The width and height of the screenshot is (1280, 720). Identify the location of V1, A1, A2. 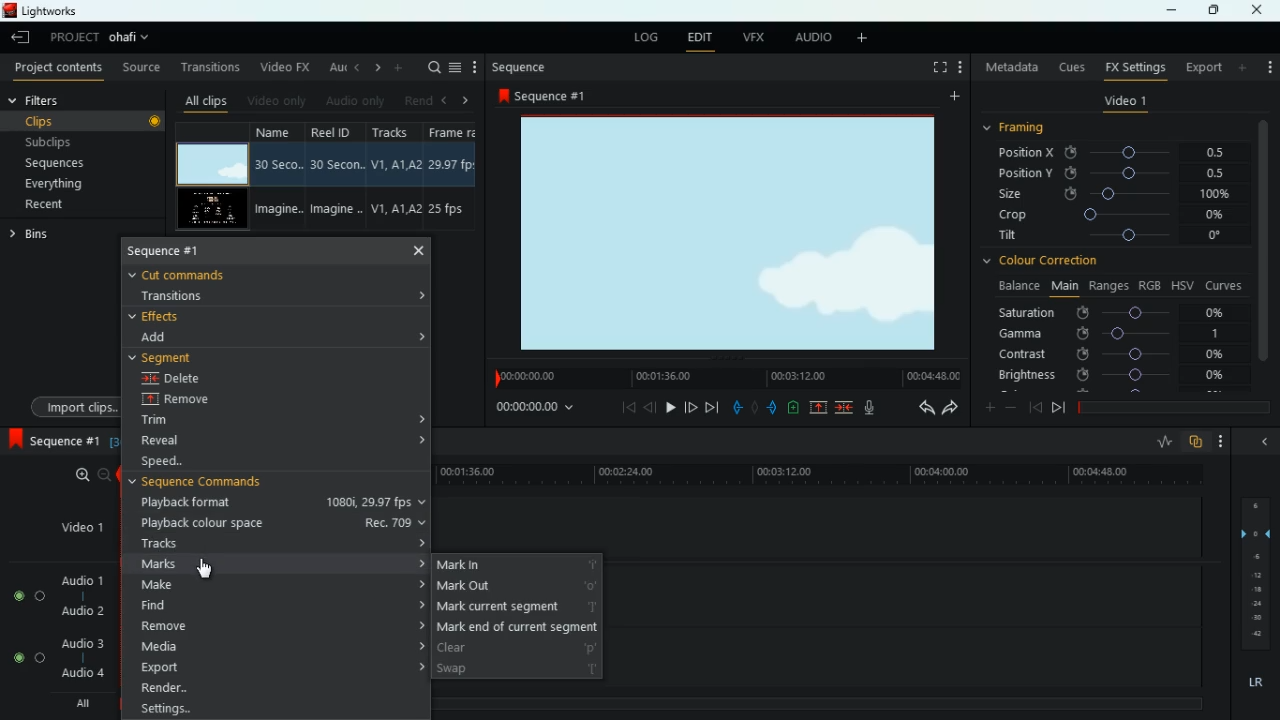
(395, 161).